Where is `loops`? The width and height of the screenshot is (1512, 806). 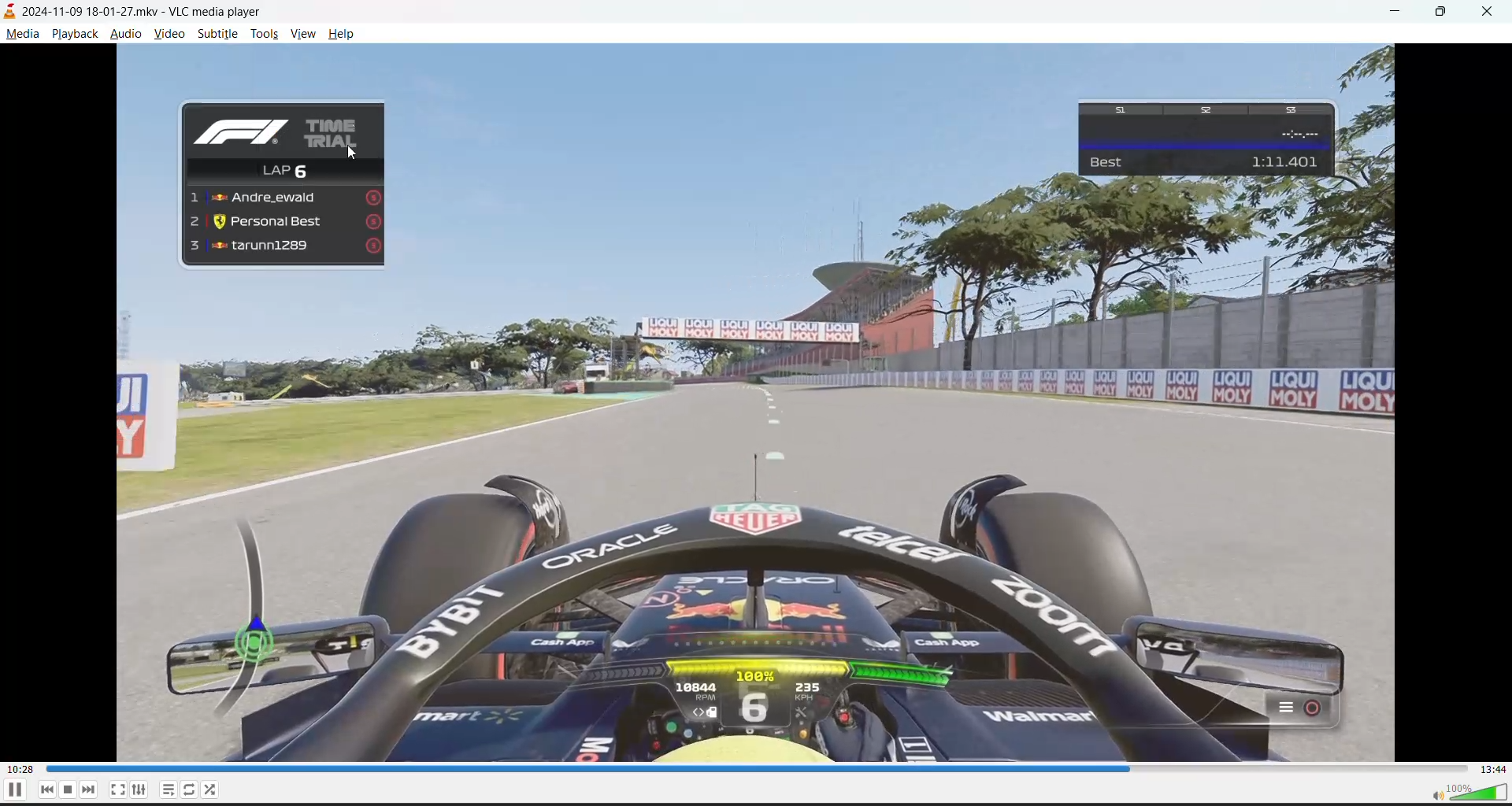
loops is located at coordinates (191, 789).